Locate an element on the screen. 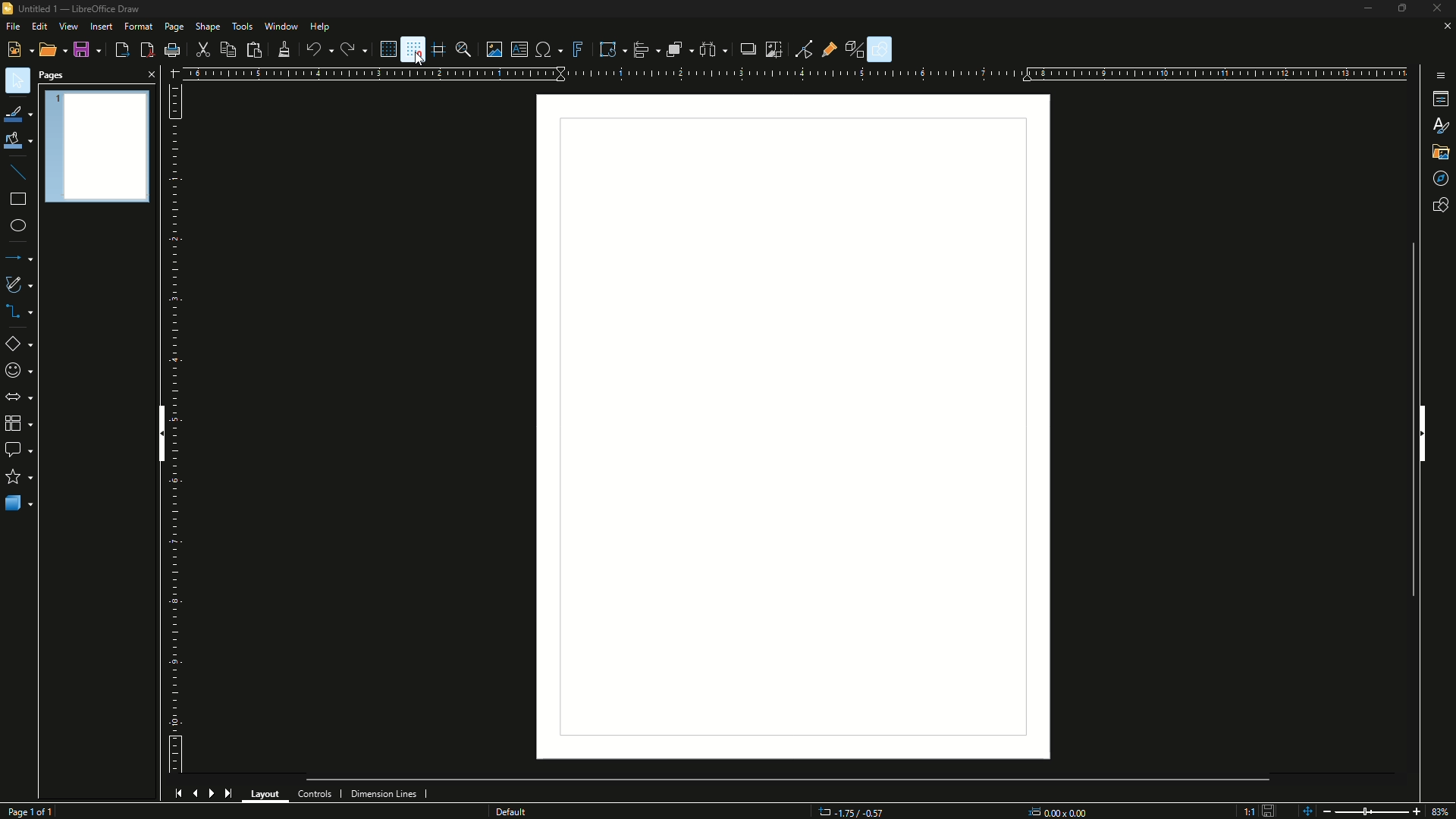  Arrange is located at coordinates (676, 52).